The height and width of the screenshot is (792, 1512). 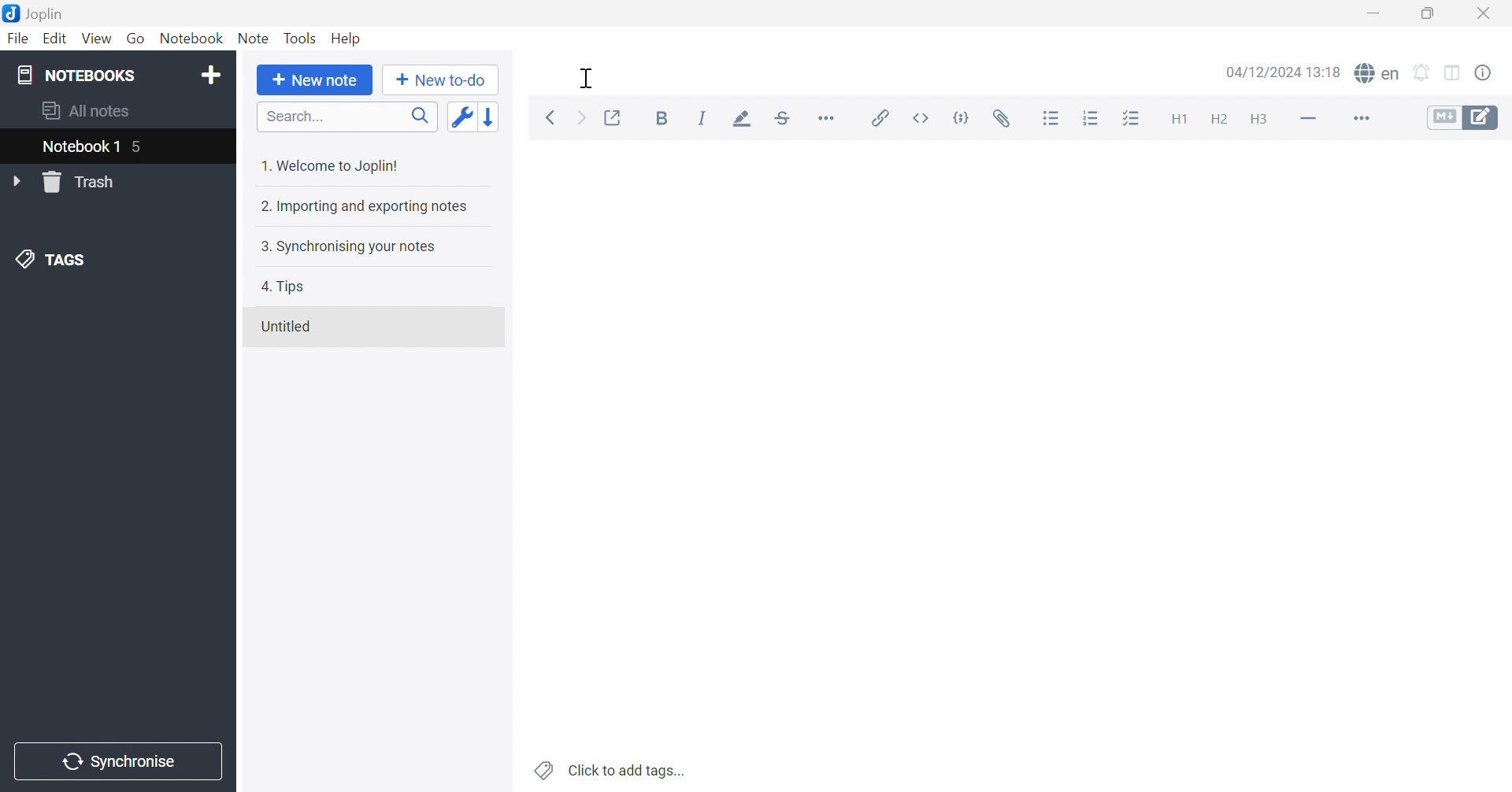 I want to click on Italic, so click(x=702, y=117).